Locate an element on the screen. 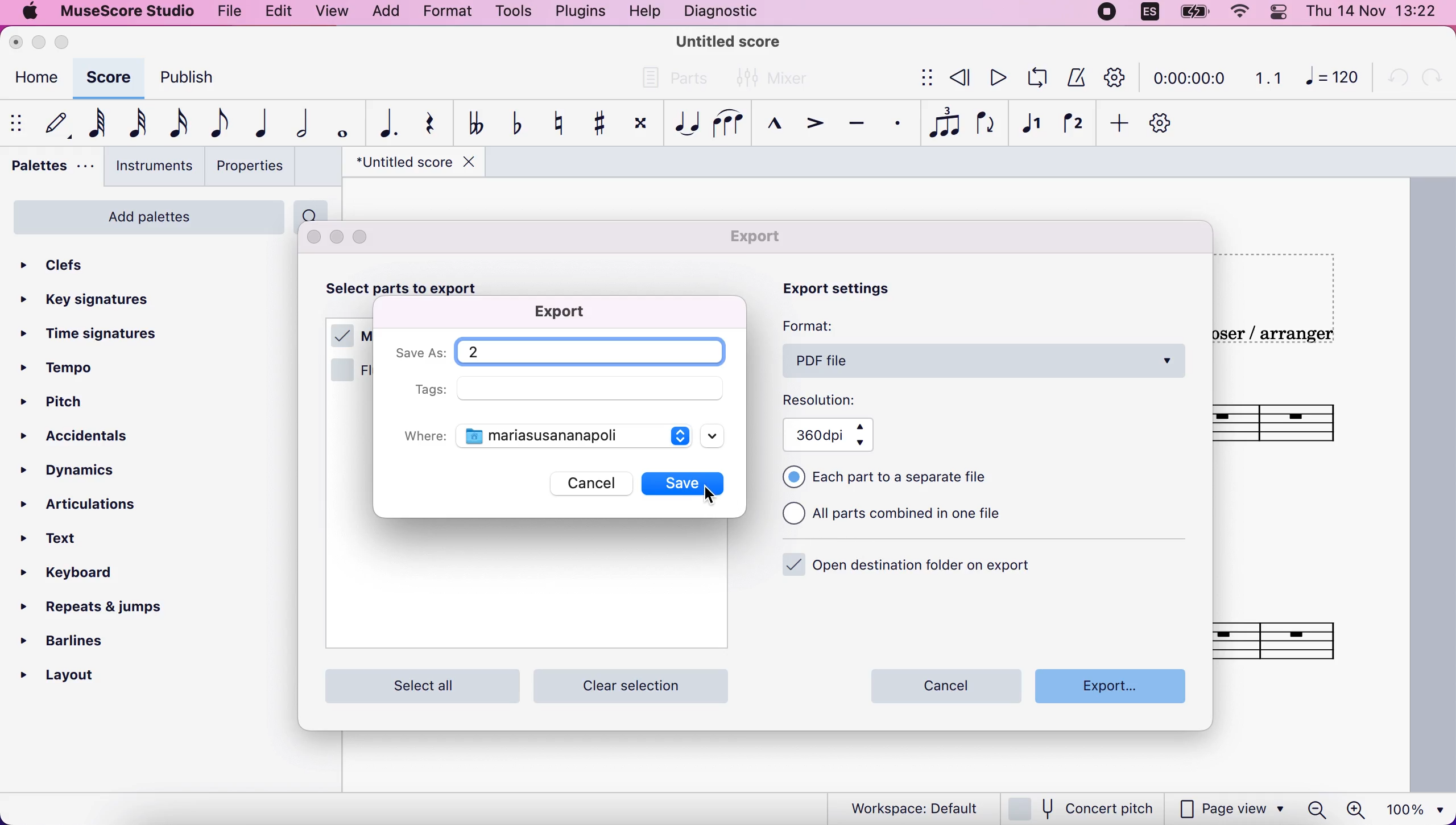  help is located at coordinates (642, 13).